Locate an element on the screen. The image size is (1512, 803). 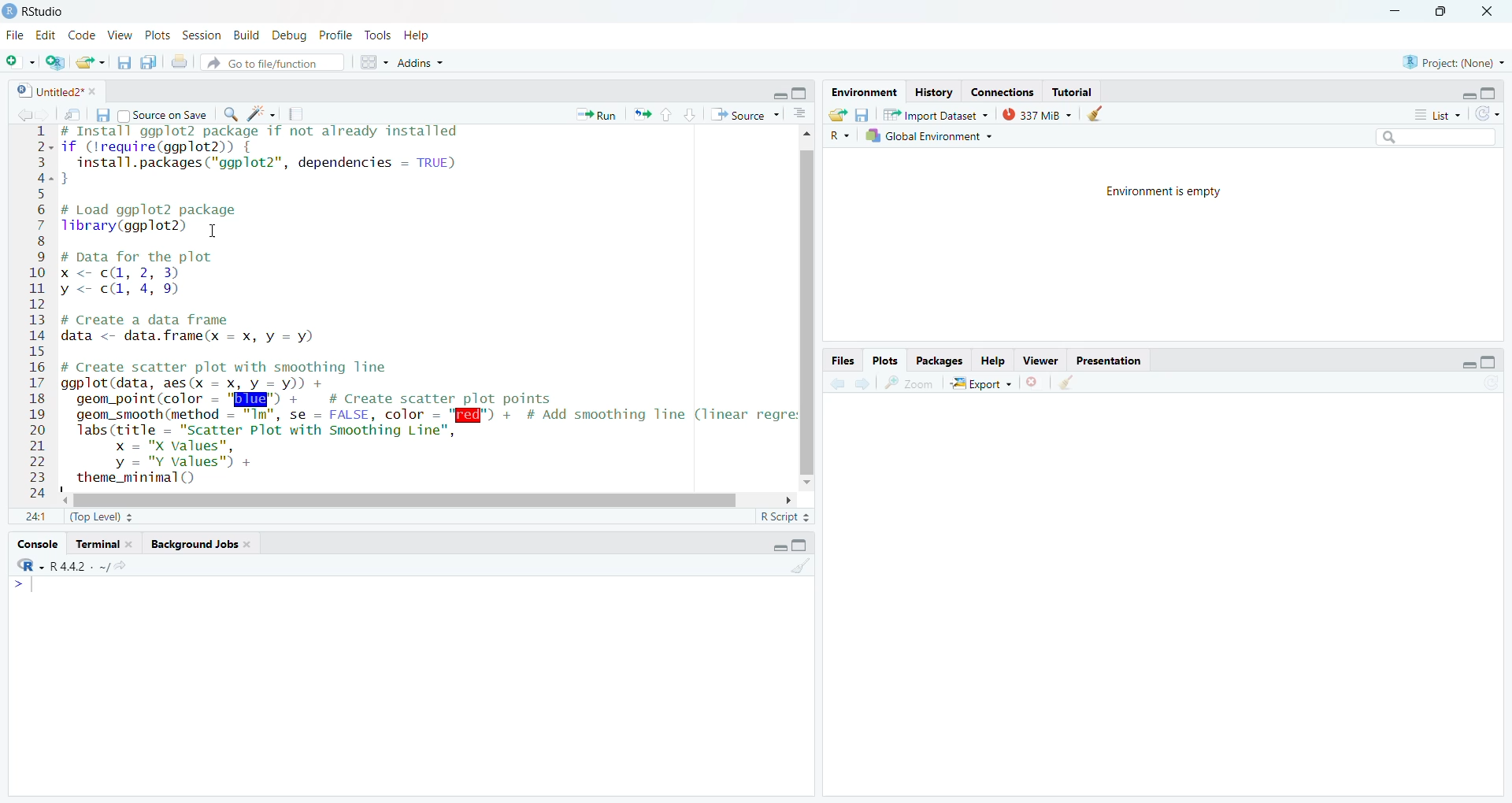
Environment is empty is located at coordinates (1166, 194).